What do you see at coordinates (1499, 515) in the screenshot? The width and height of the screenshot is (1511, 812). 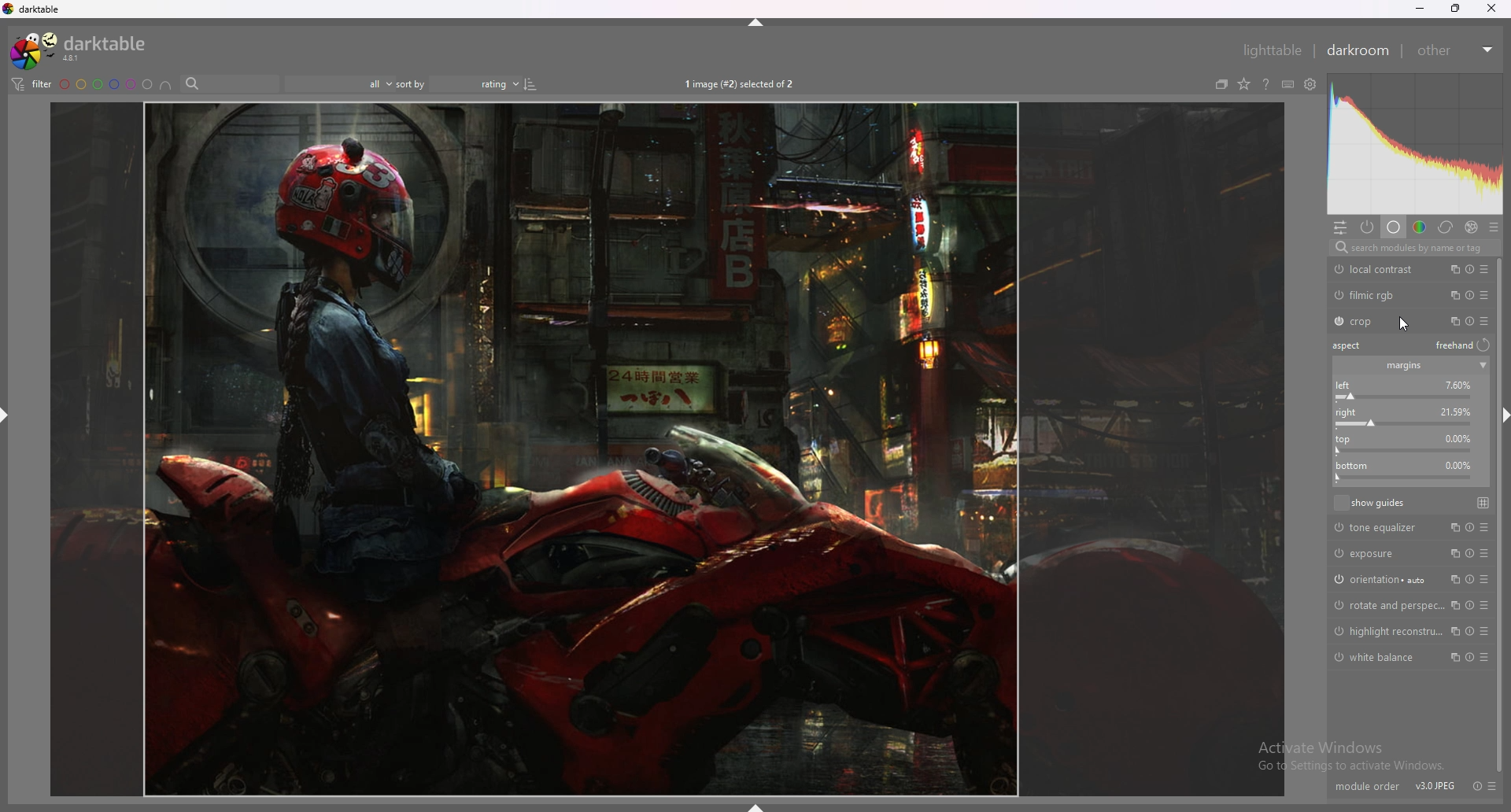 I see `scroll bar` at bounding box center [1499, 515].